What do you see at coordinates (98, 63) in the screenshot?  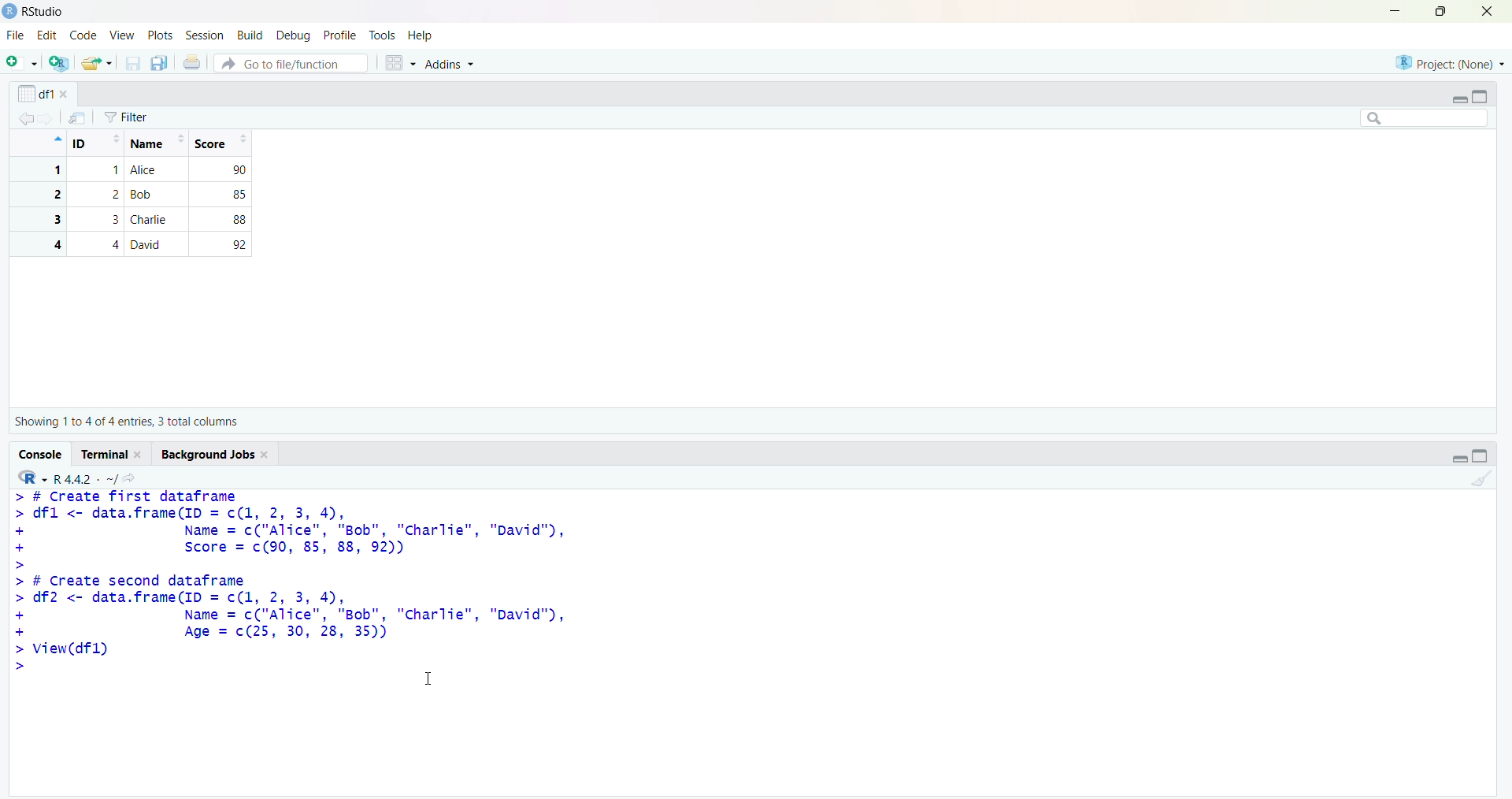 I see `share folder as` at bounding box center [98, 63].